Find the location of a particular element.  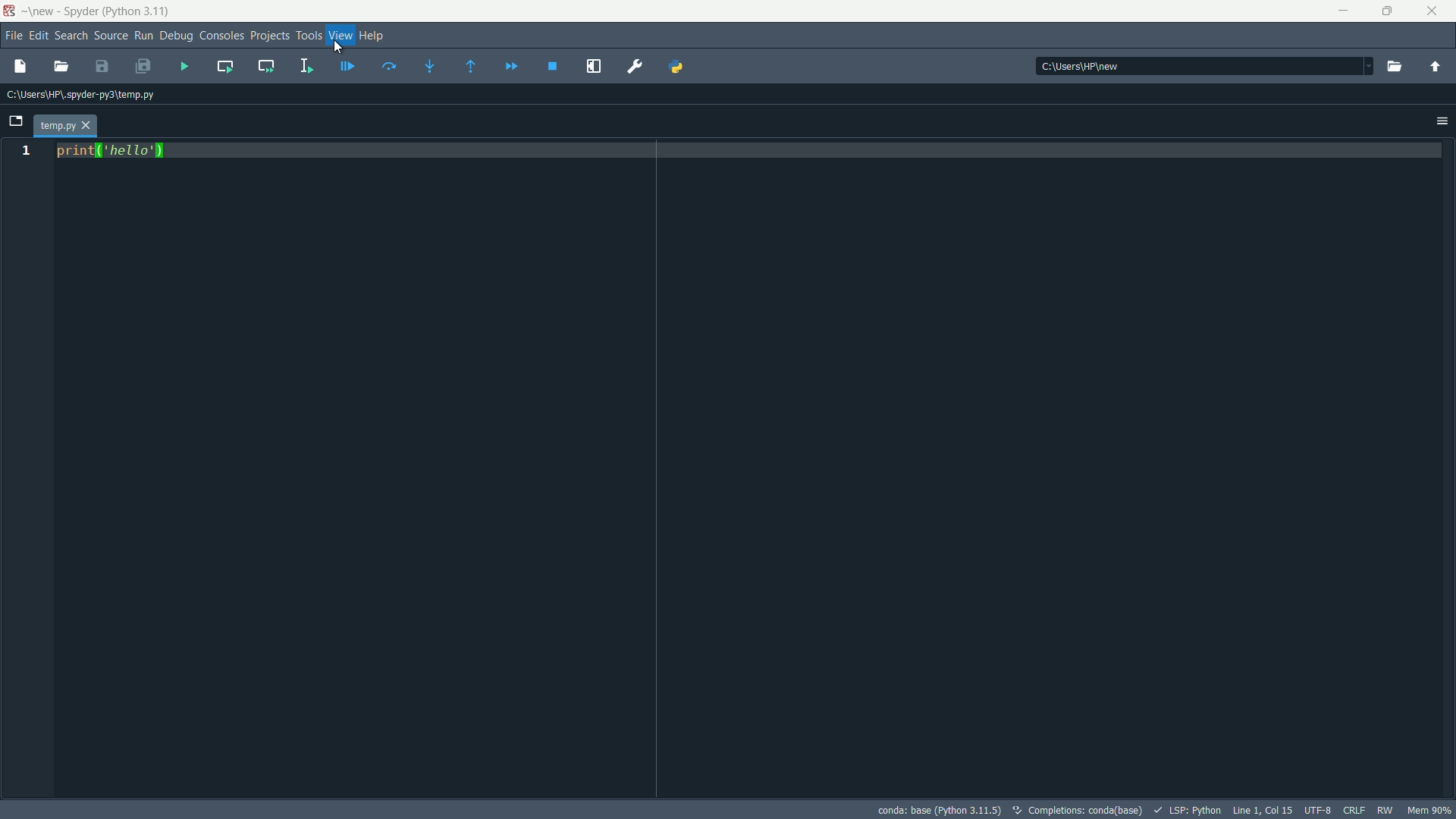

continue execution until next breakpoint is located at coordinates (511, 67).